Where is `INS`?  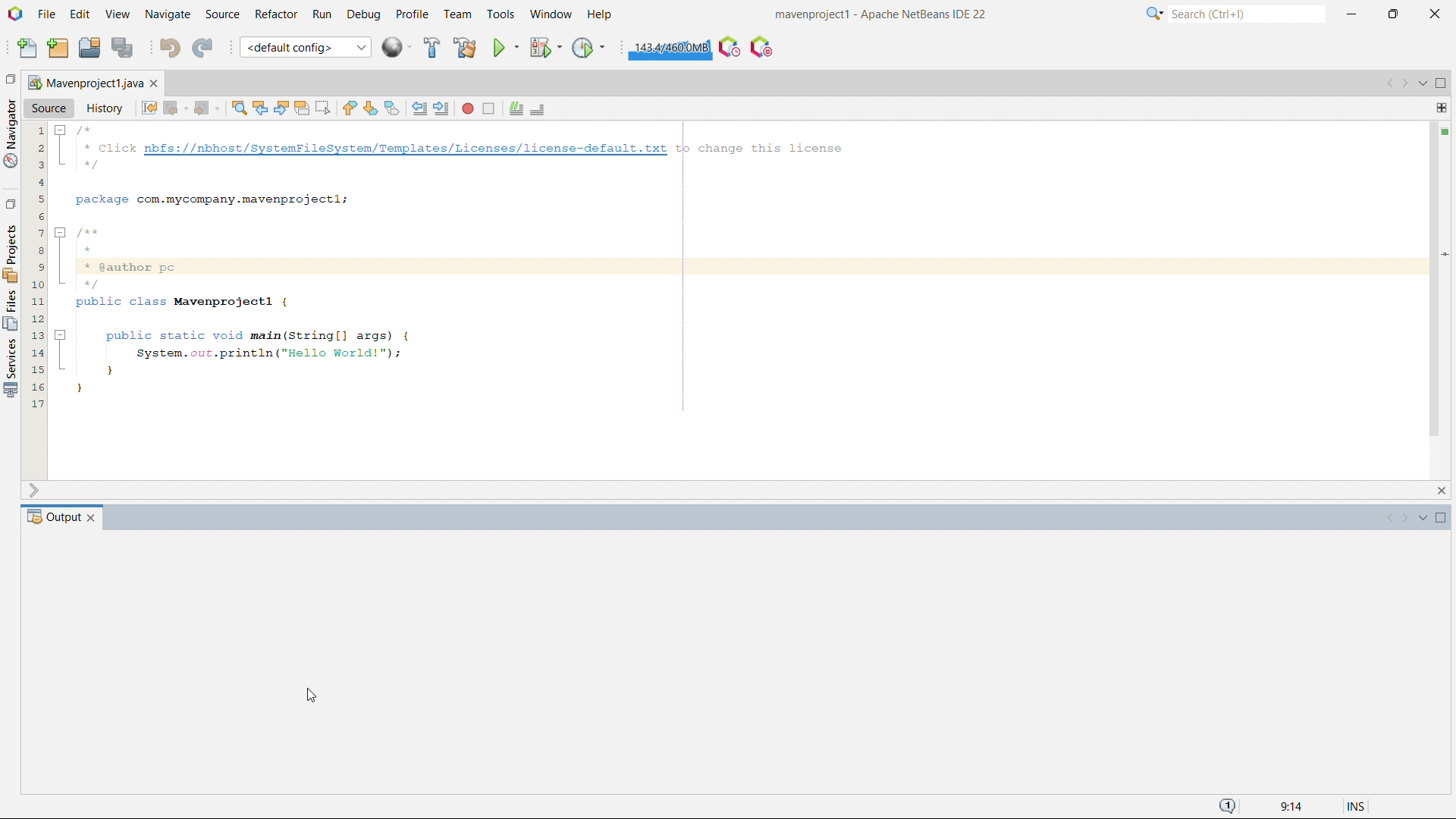 INS is located at coordinates (1348, 804).